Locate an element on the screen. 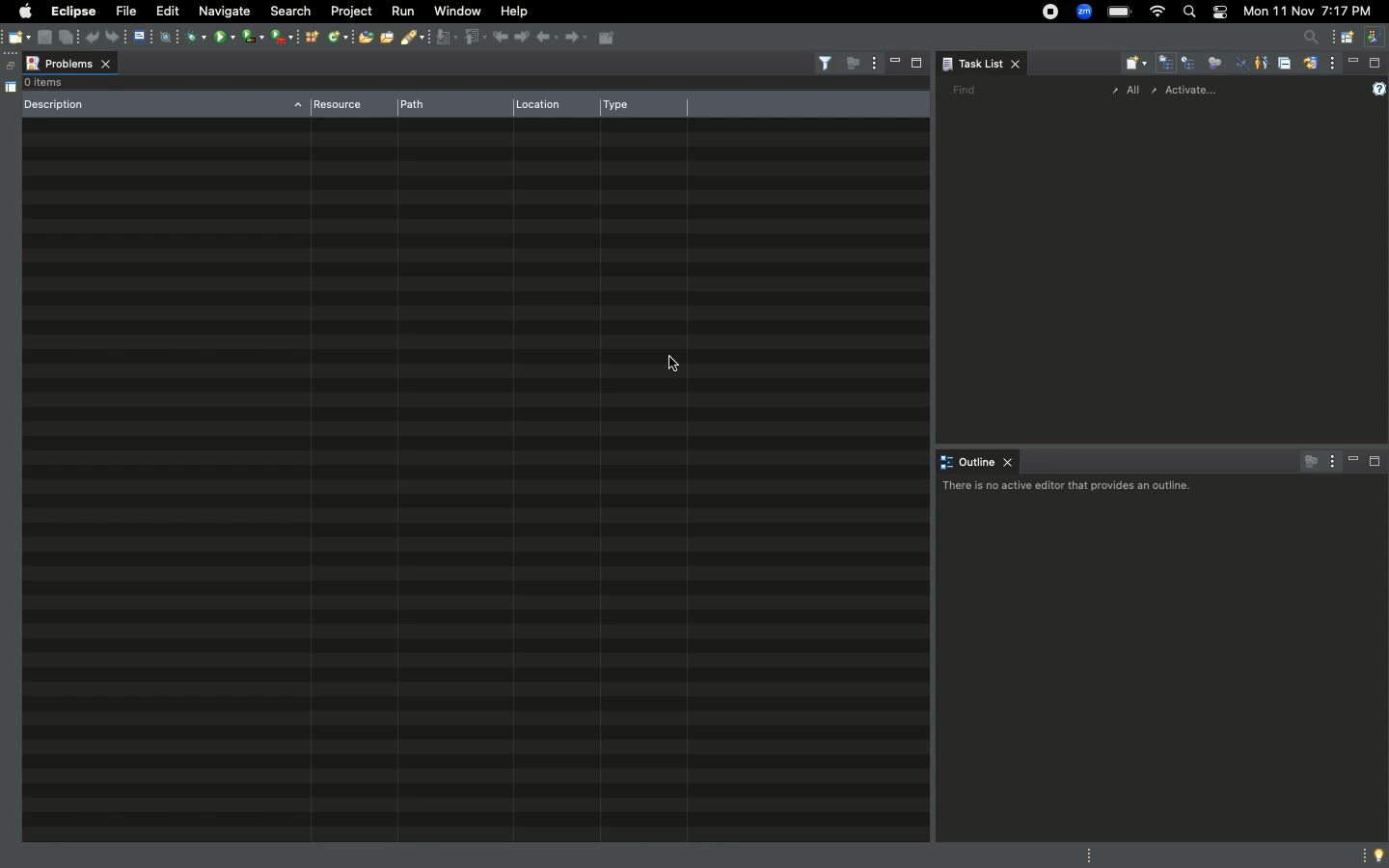 This screenshot has width=1389, height=868. Categorized is located at coordinates (1167, 65).